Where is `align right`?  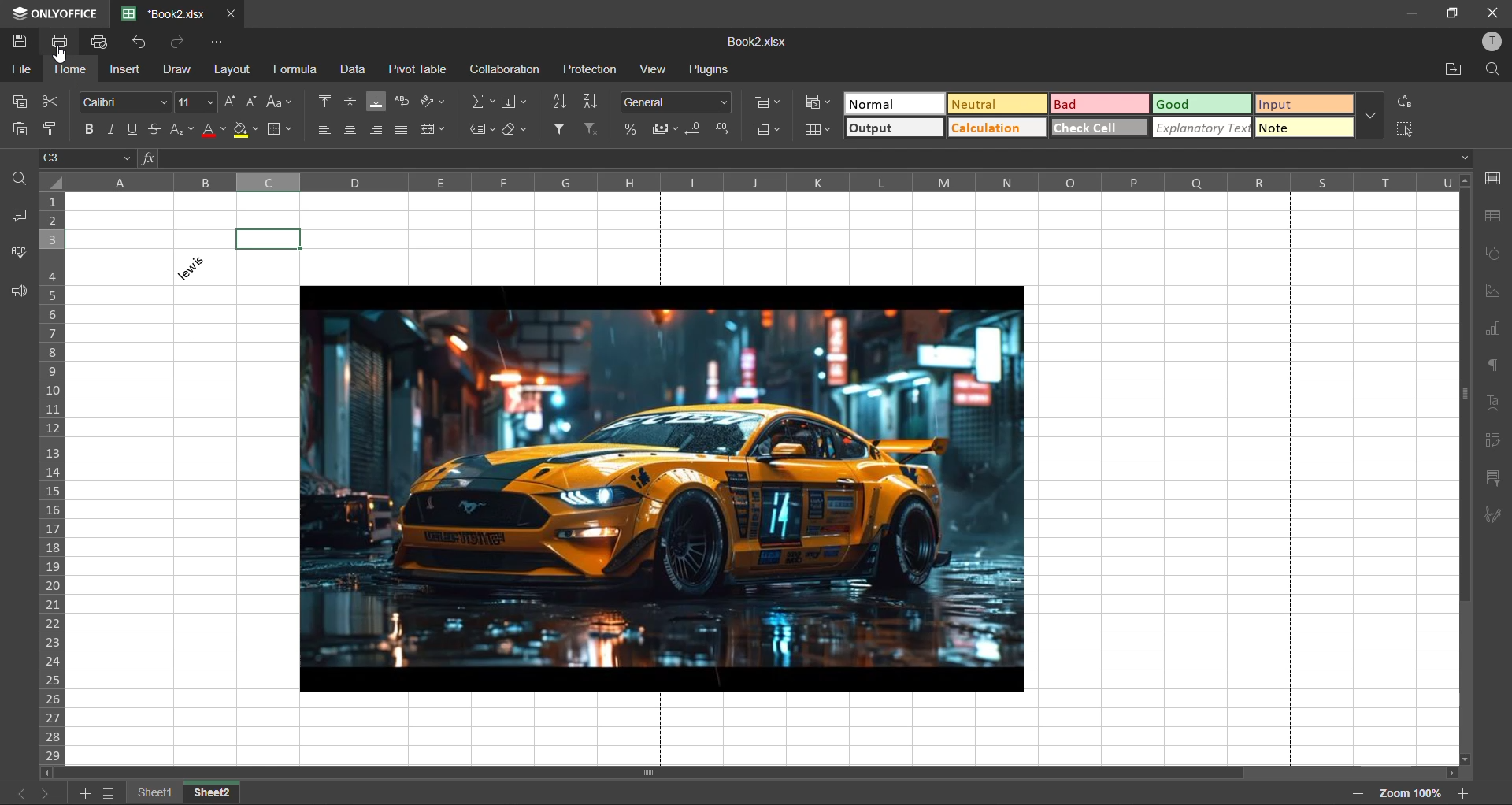
align right is located at coordinates (378, 128).